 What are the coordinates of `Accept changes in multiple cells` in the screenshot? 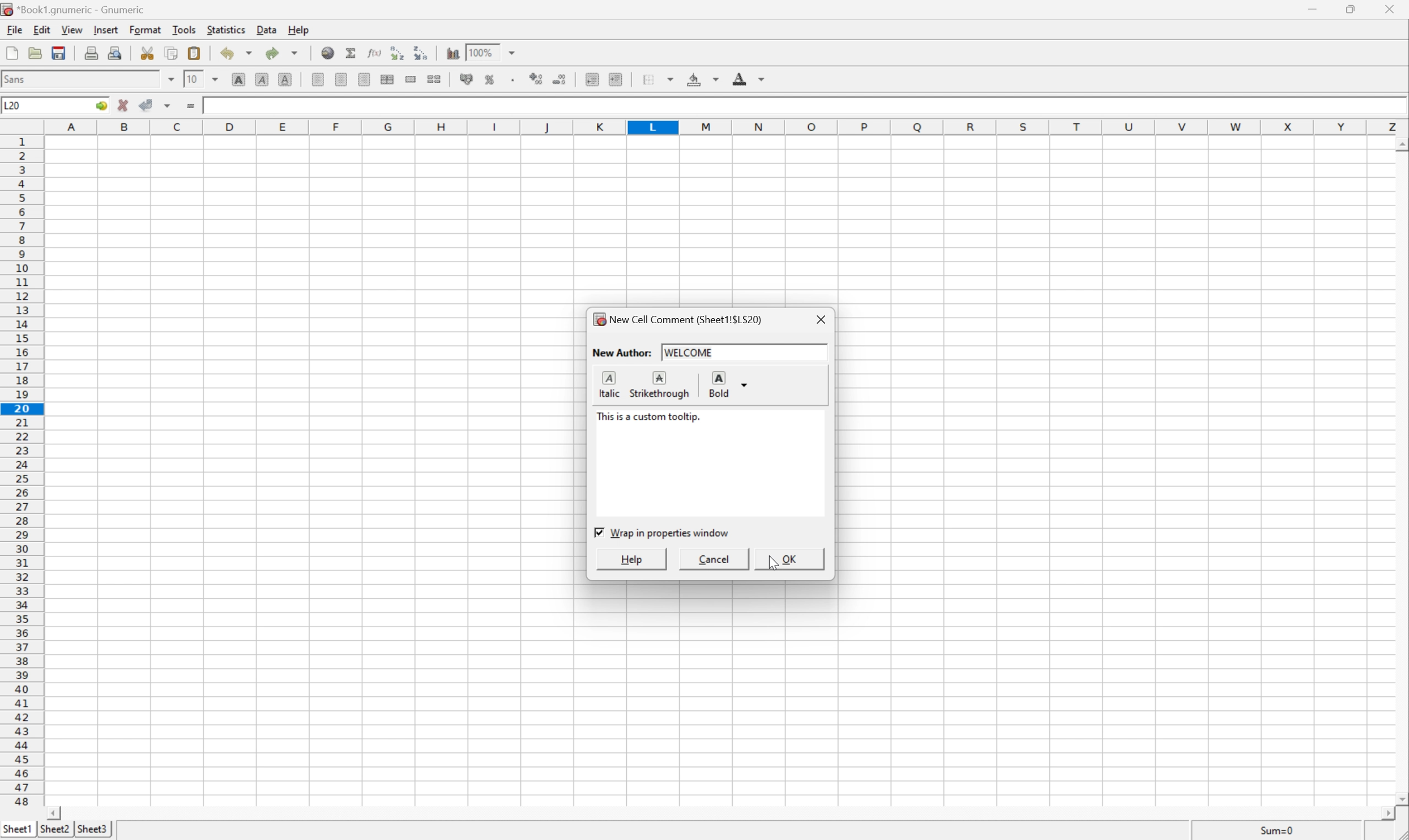 It's located at (168, 106).